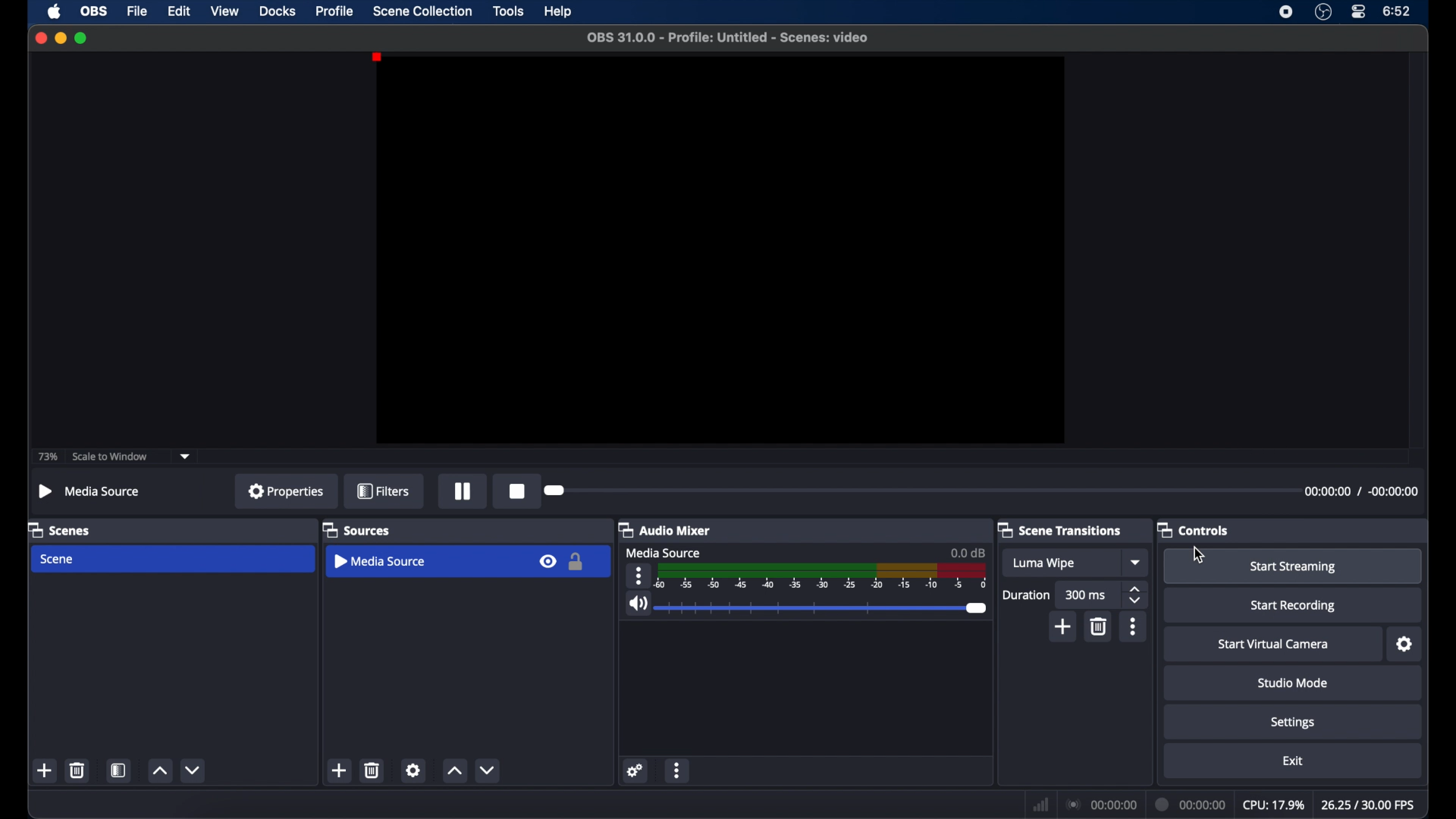  Describe the element at coordinates (579, 561) in the screenshot. I see `lock` at that location.